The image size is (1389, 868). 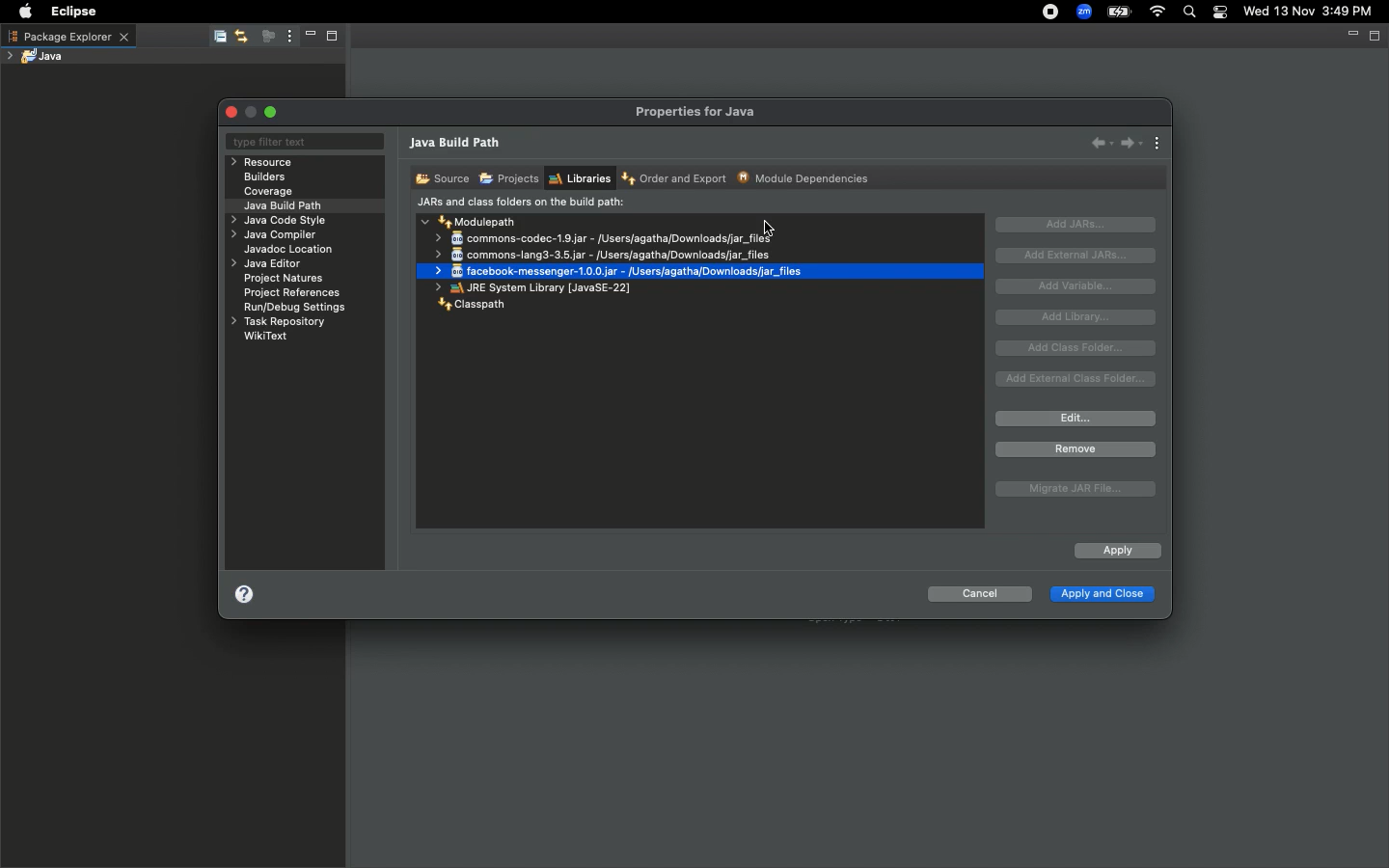 What do you see at coordinates (1119, 12) in the screenshot?
I see `Charge` at bounding box center [1119, 12].